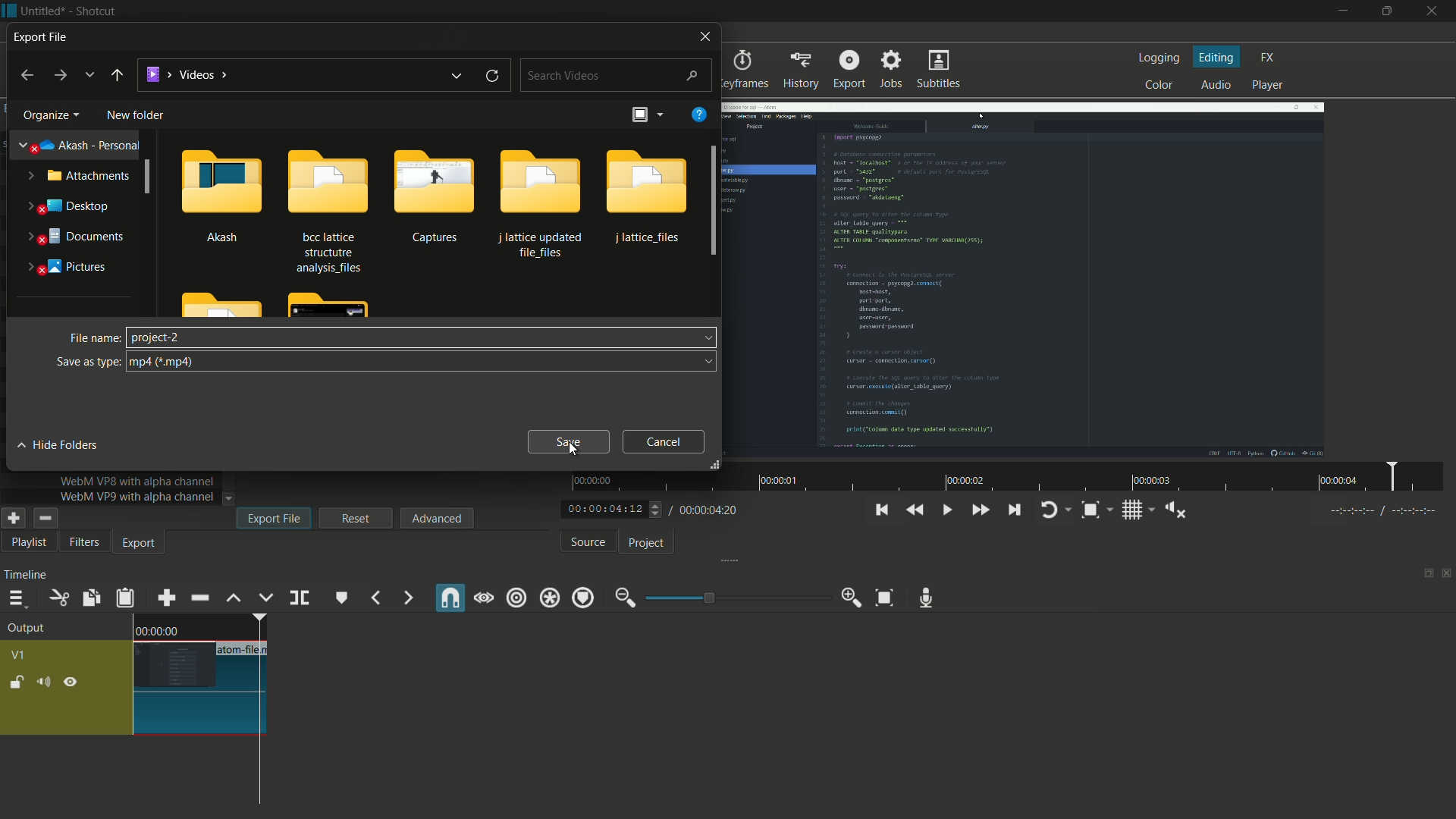 The height and width of the screenshot is (819, 1456). What do you see at coordinates (25, 577) in the screenshot?
I see `timeline` at bounding box center [25, 577].